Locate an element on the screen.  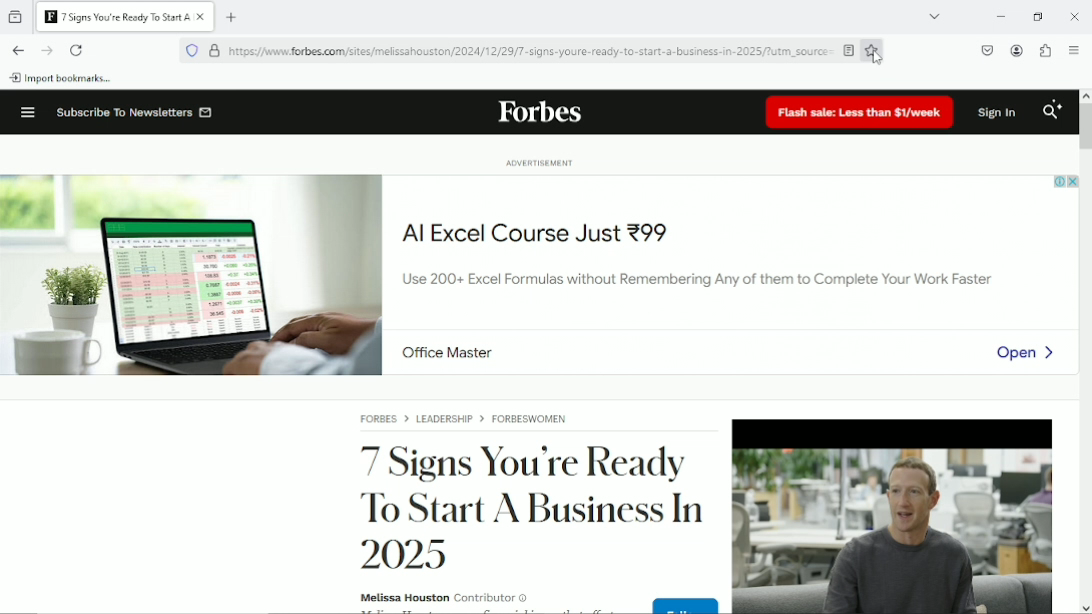
forbes is located at coordinates (539, 114).